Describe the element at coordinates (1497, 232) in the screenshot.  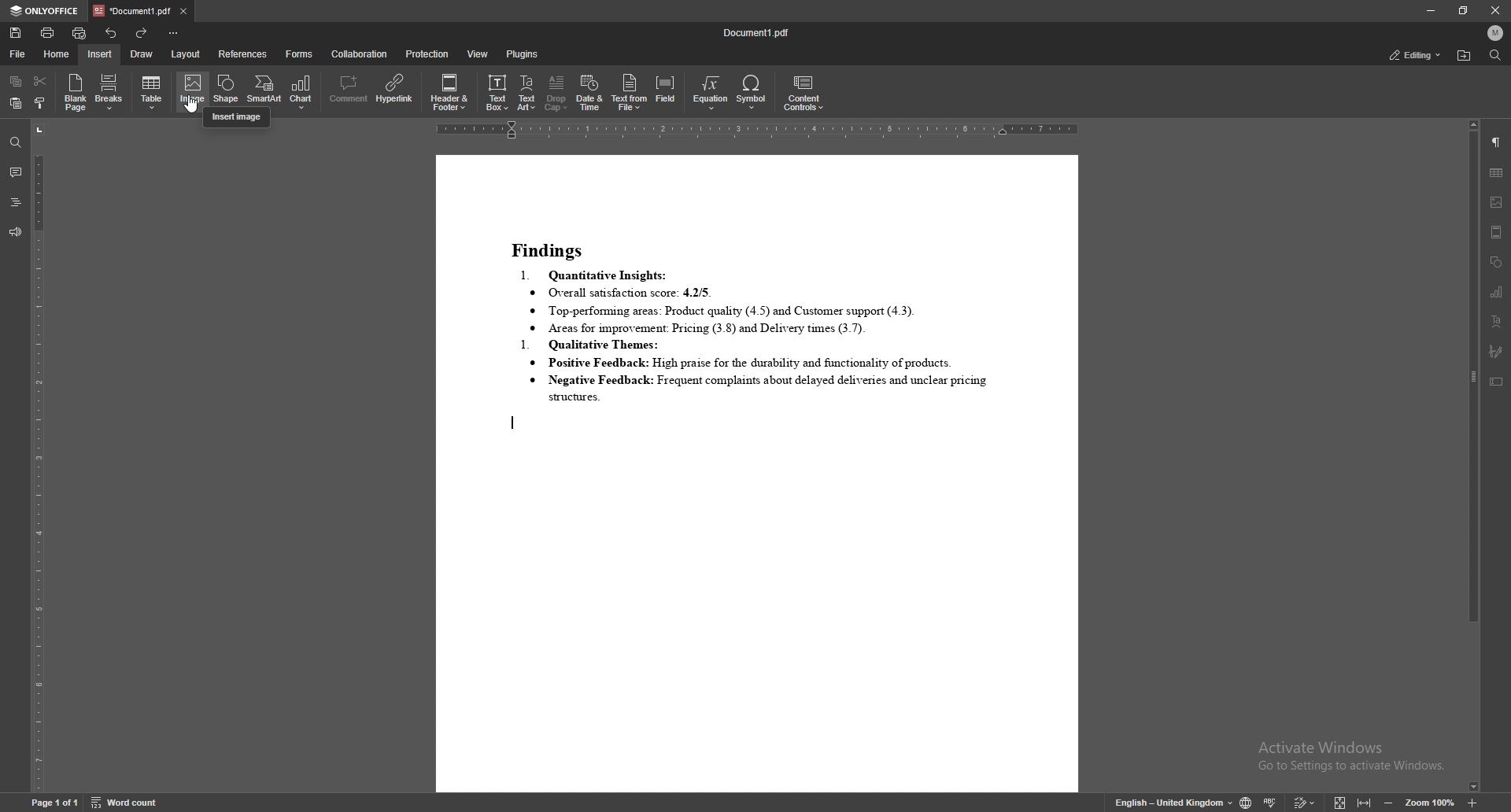
I see `header and footer` at that location.